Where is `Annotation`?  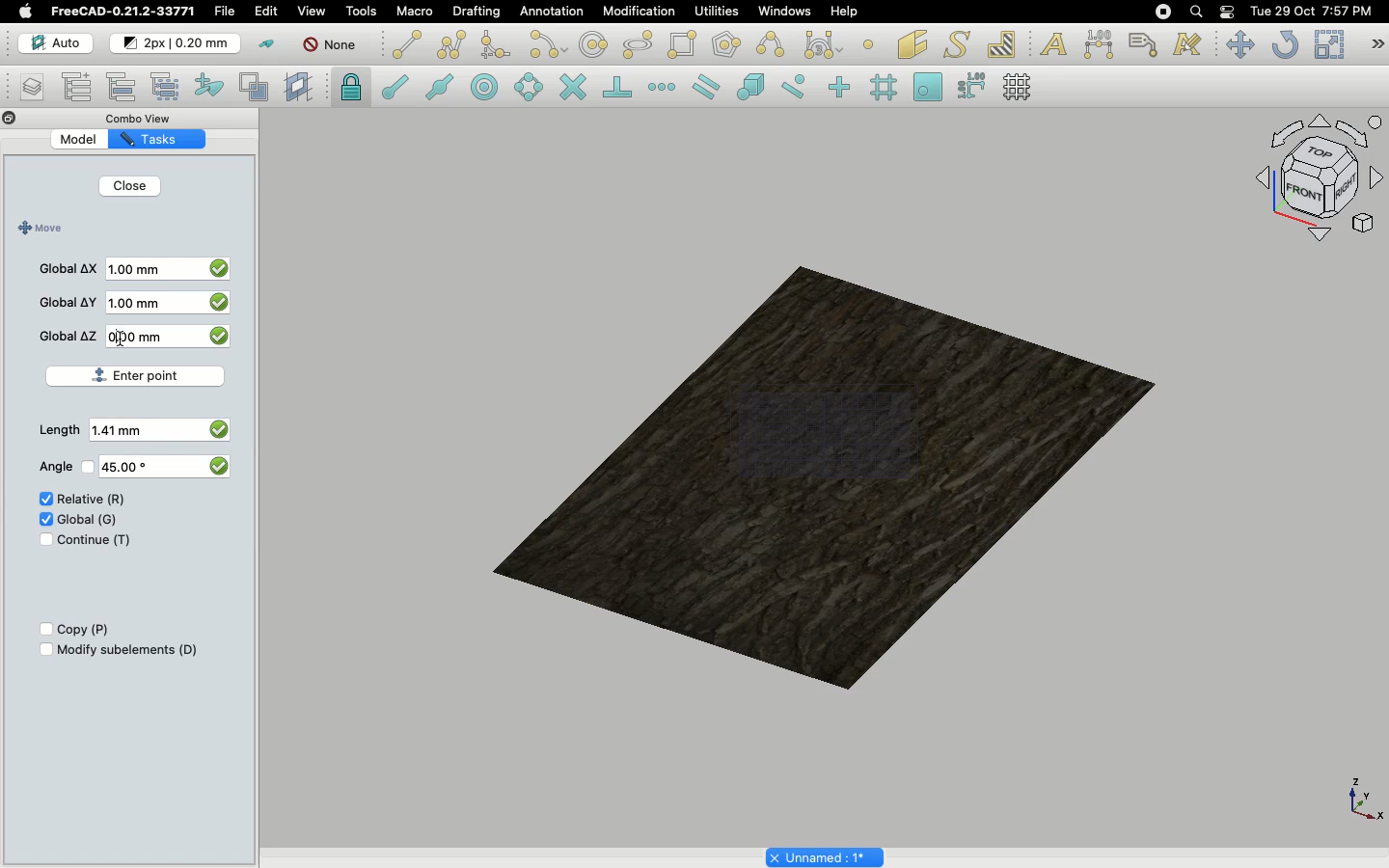
Annotation is located at coordinates (552, 11).